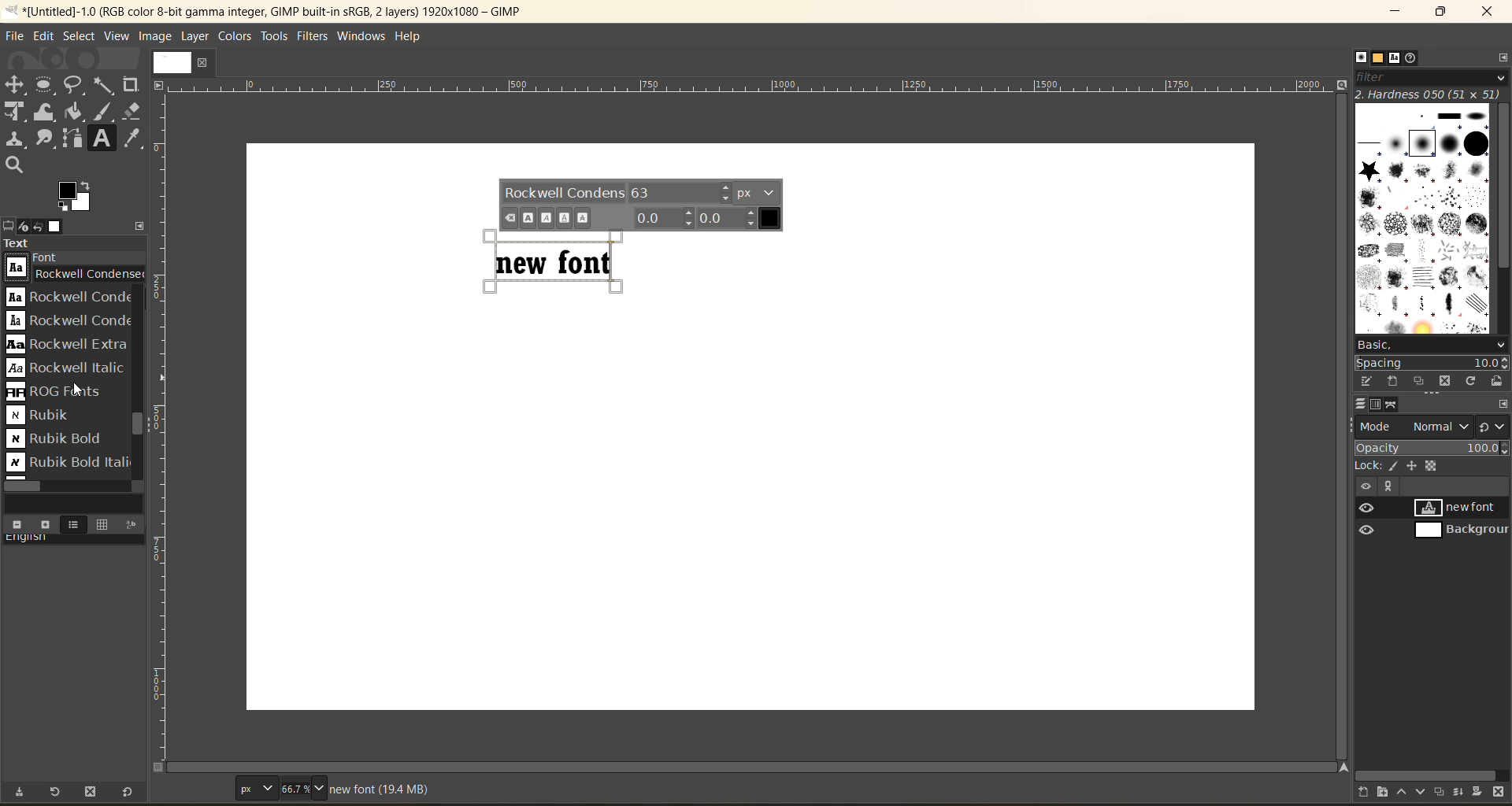 This screenshot has height=806, width=1512. I want to click on change foreground/background color, so click(76, 198).